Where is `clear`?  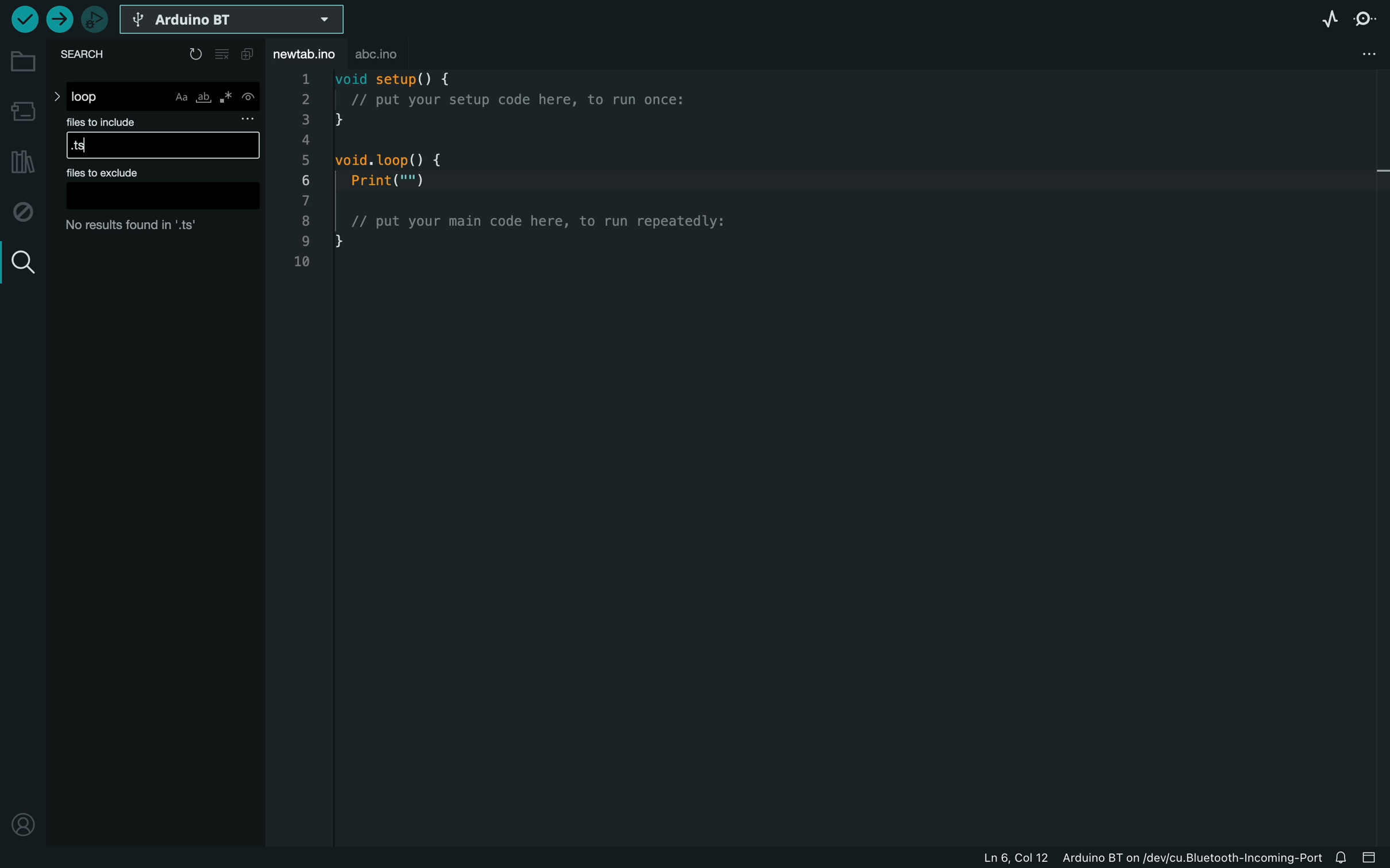 clear is located at coordinates (225, 55).